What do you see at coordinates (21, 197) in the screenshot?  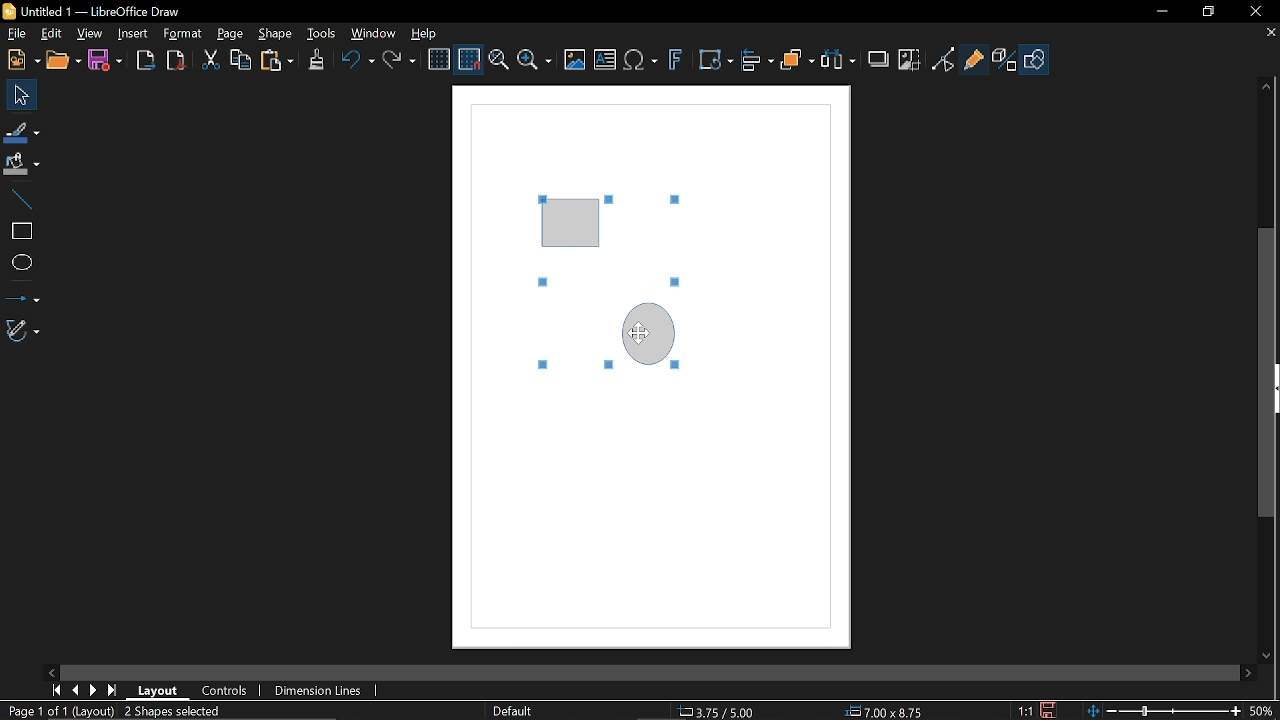 I see `Line` at bounding box center [21, 197].